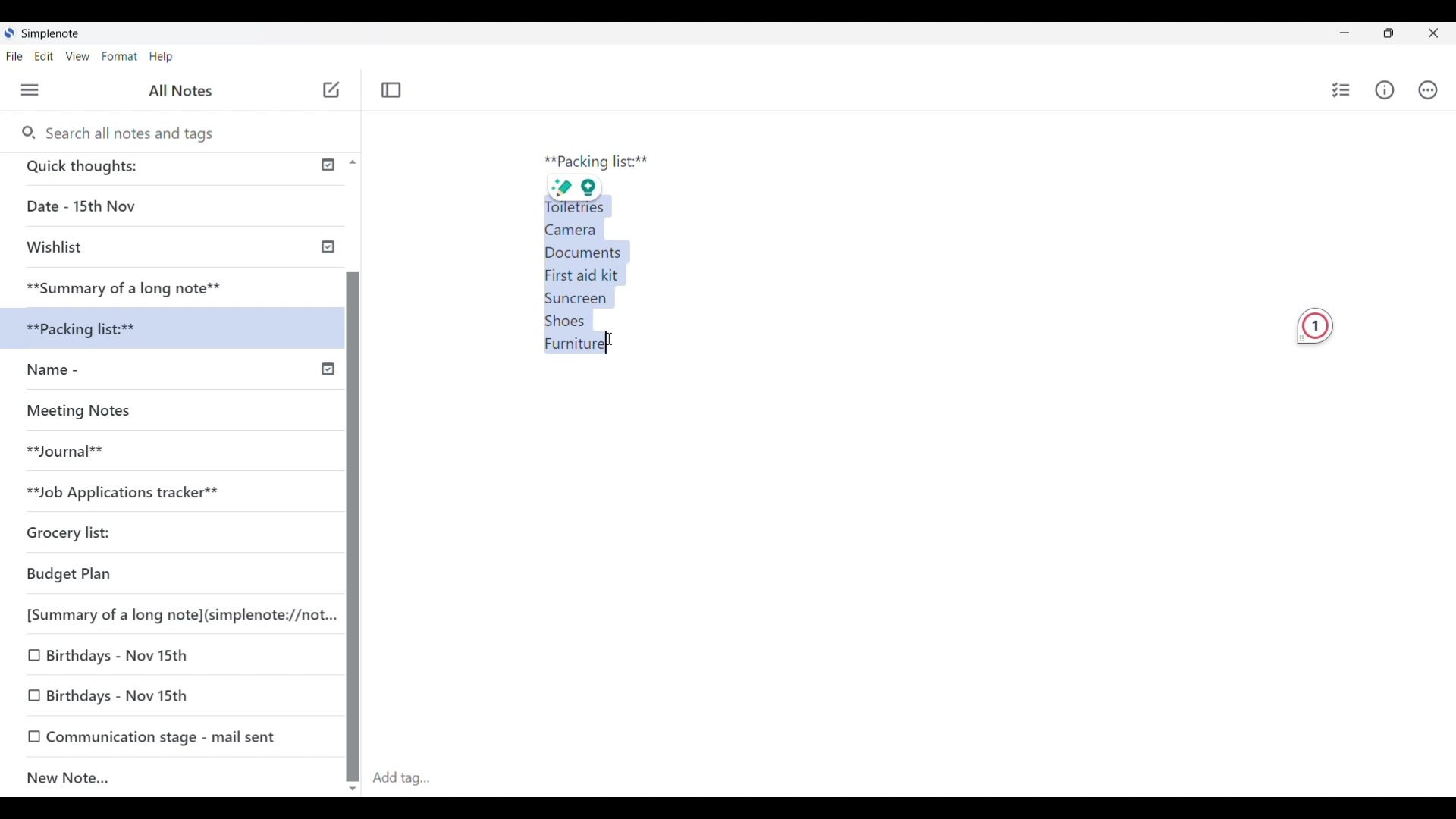 The height and width of the screenshot is (819, 1456). I want to click on Menu, so click(30, 90).